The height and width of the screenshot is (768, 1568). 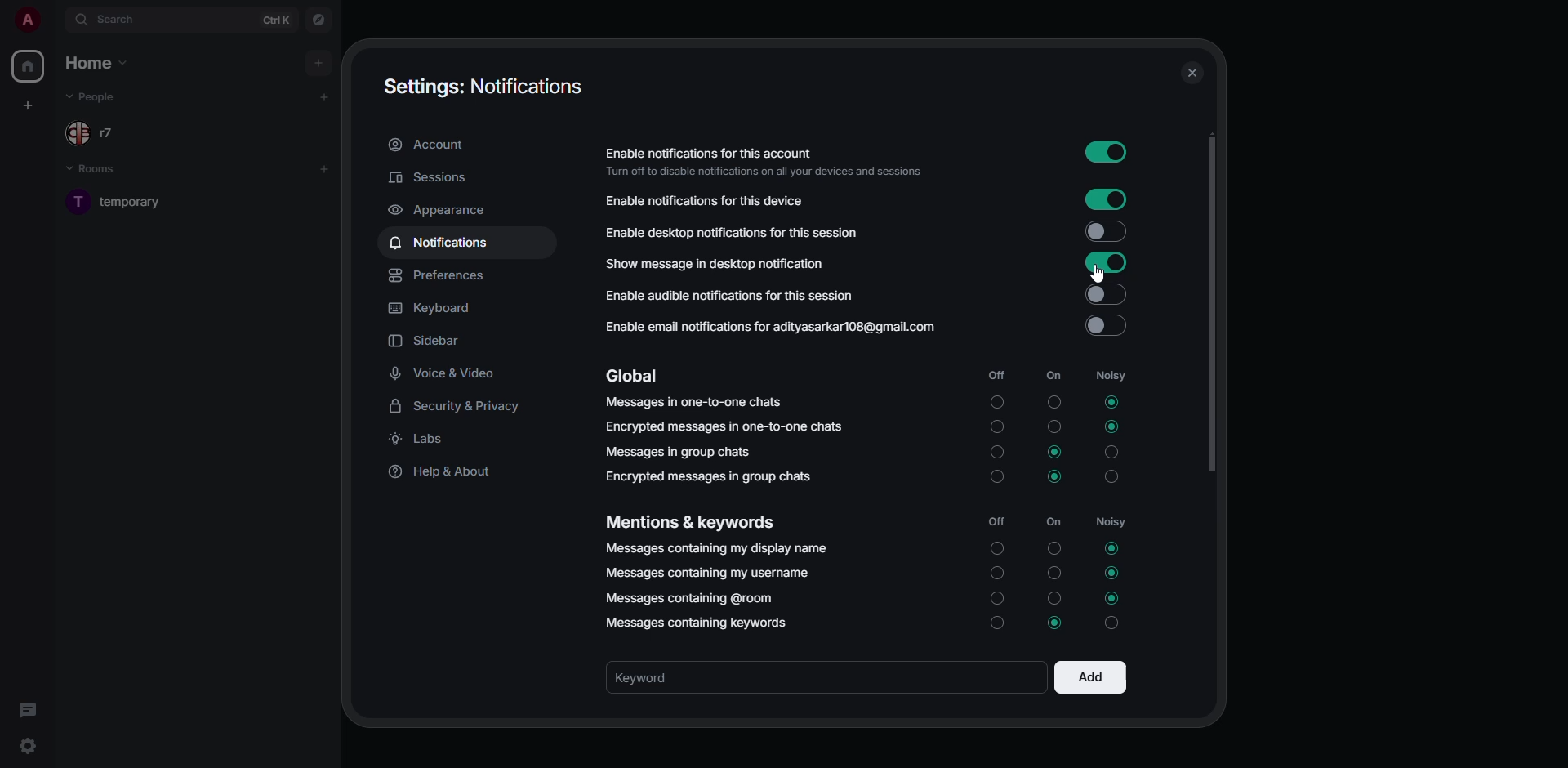 What do you see at coordinates (1055, 401) in the screenshot?
I see `On Unselected` at bounding box center [1055, 401].